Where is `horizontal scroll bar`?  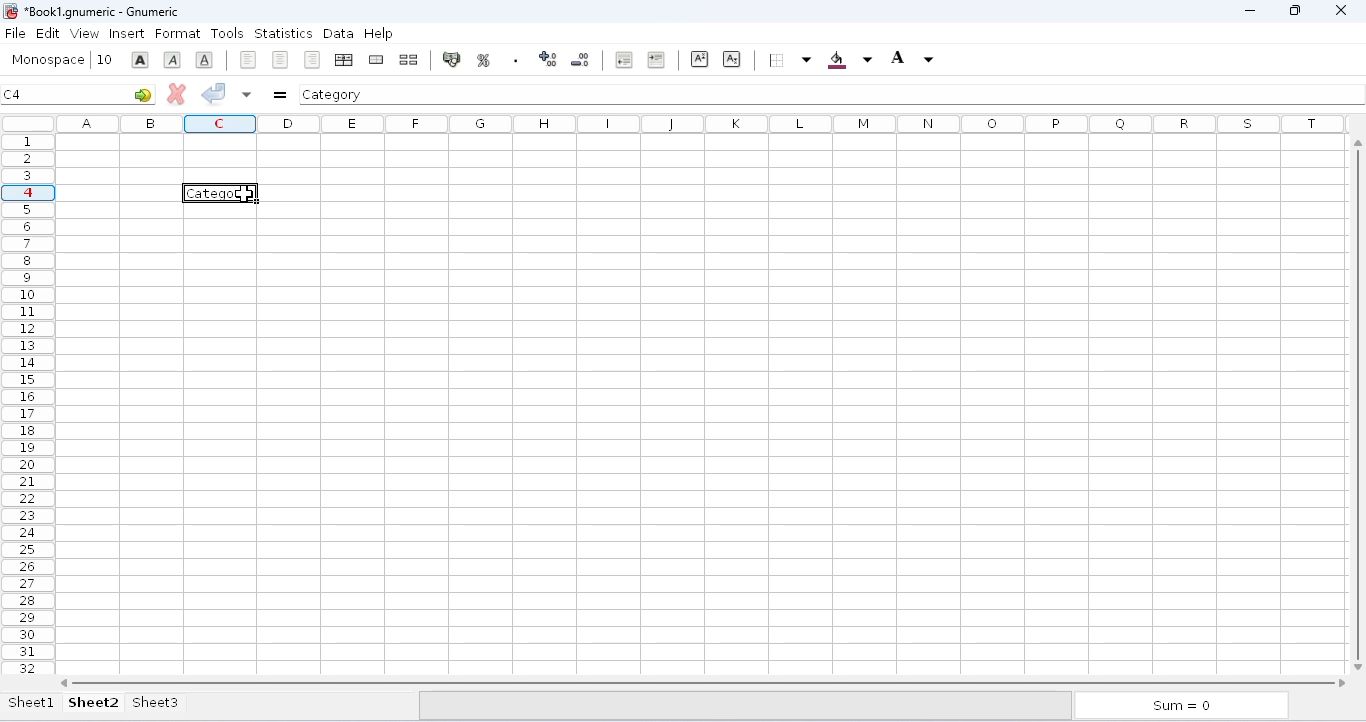 horizontal scroll bar is located at coordinates (705, 683).